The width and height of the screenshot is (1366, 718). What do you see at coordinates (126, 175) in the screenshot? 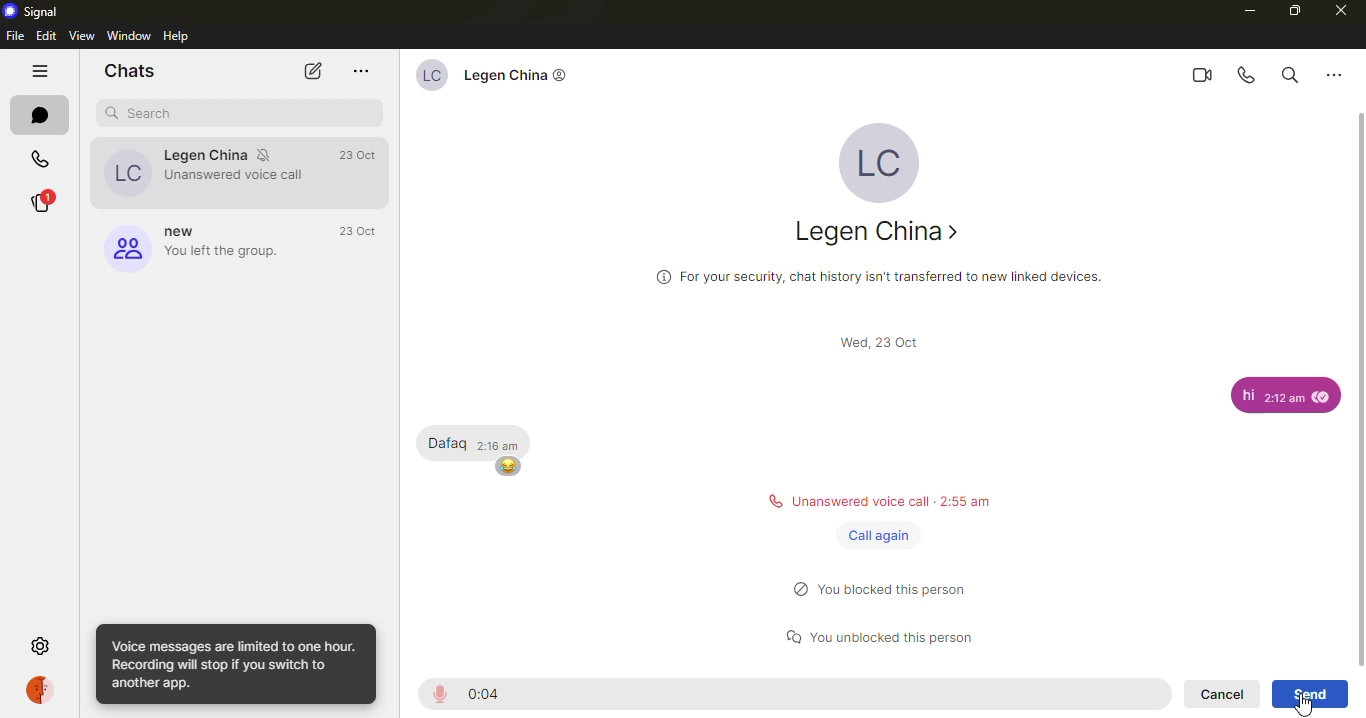
I see `profile picture` at bounding box center [126, 175].